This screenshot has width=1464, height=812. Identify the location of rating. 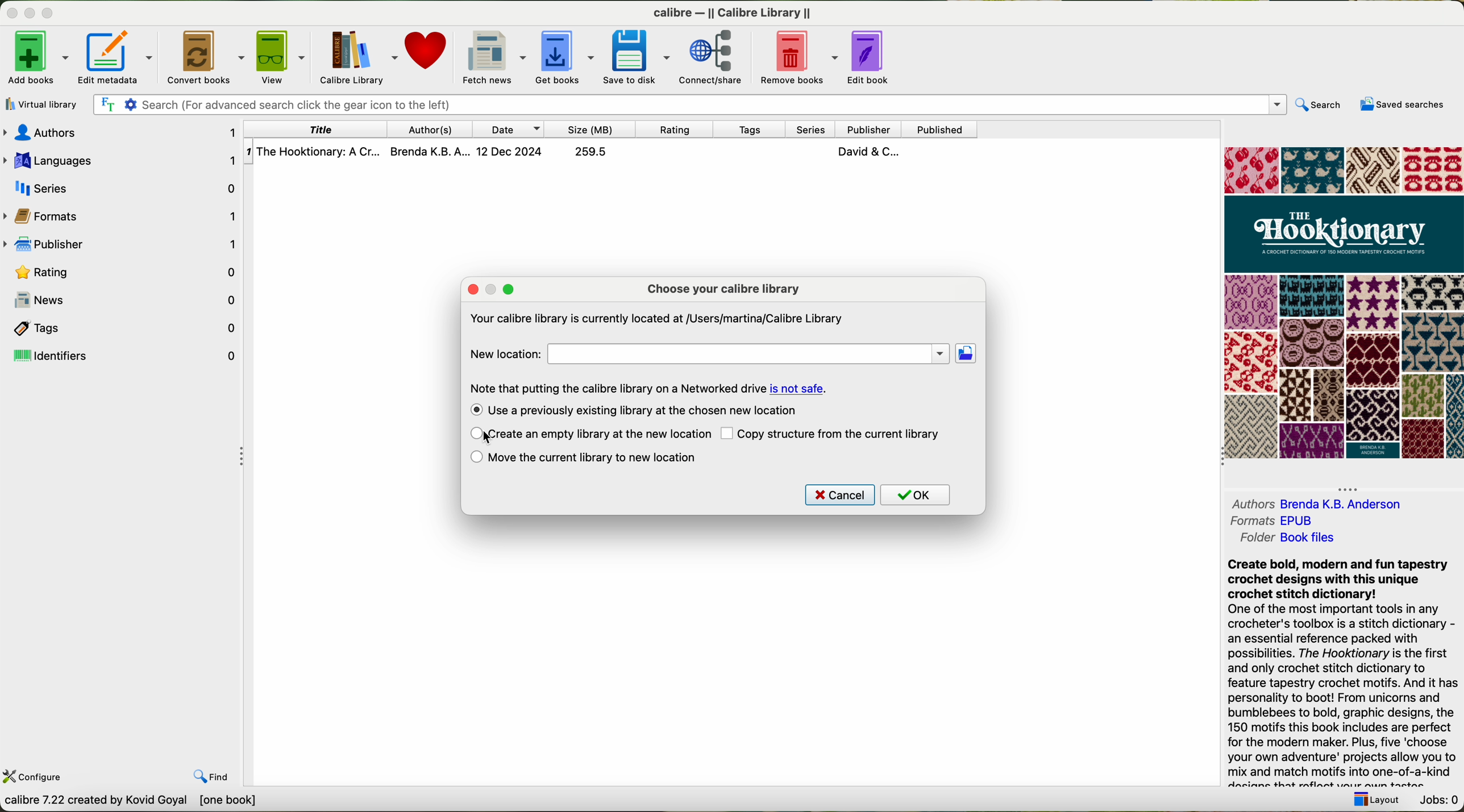
(122, 273).